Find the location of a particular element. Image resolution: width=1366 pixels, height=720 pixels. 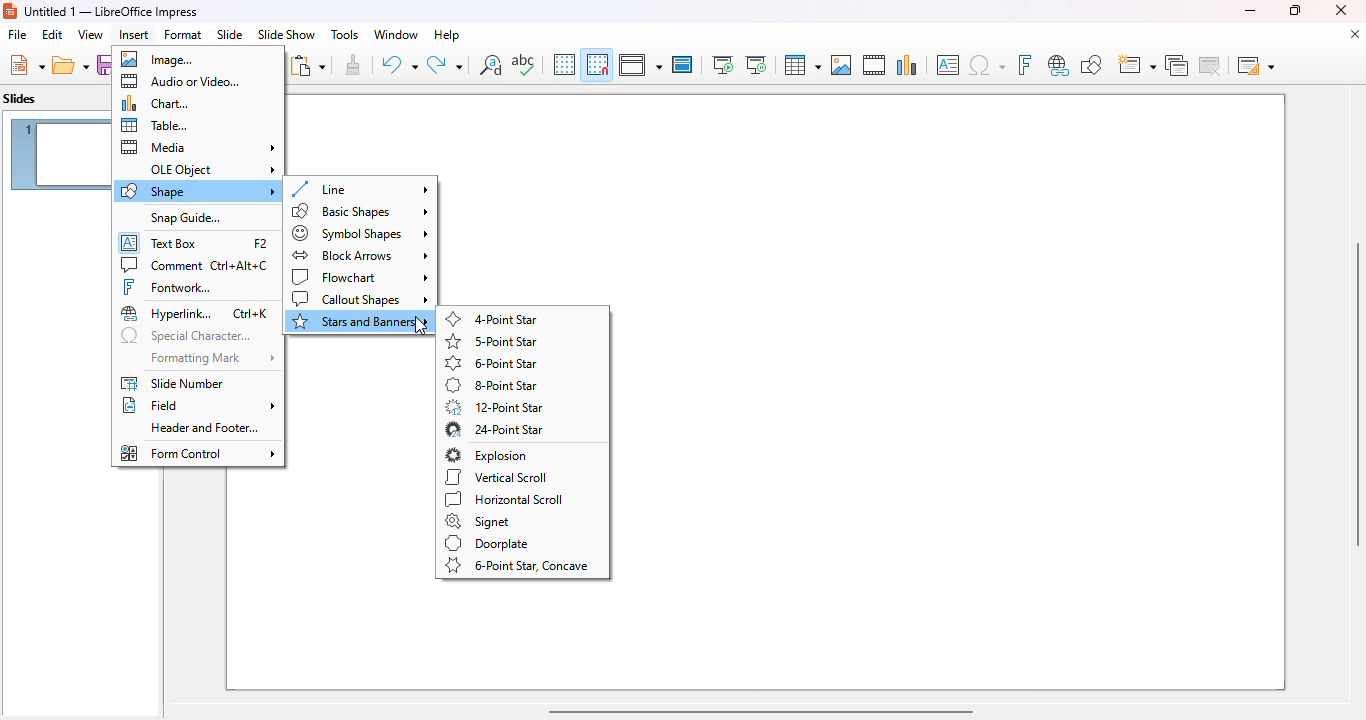

comment is located at coordinates (195, 265).